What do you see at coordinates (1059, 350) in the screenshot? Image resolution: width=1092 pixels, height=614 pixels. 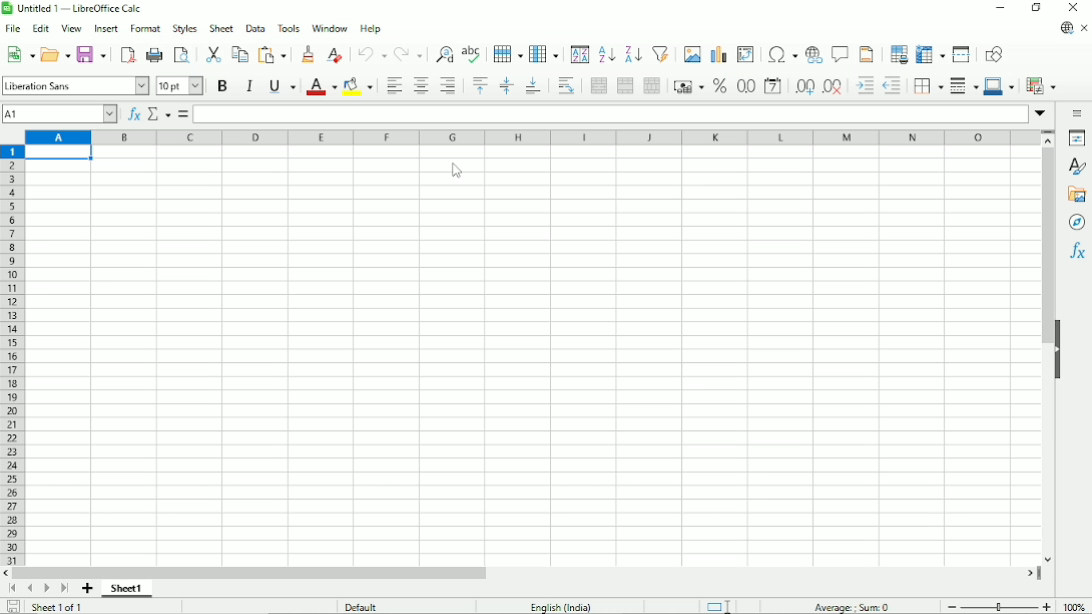 I see `Hide` at bounding box center [1059, 350].